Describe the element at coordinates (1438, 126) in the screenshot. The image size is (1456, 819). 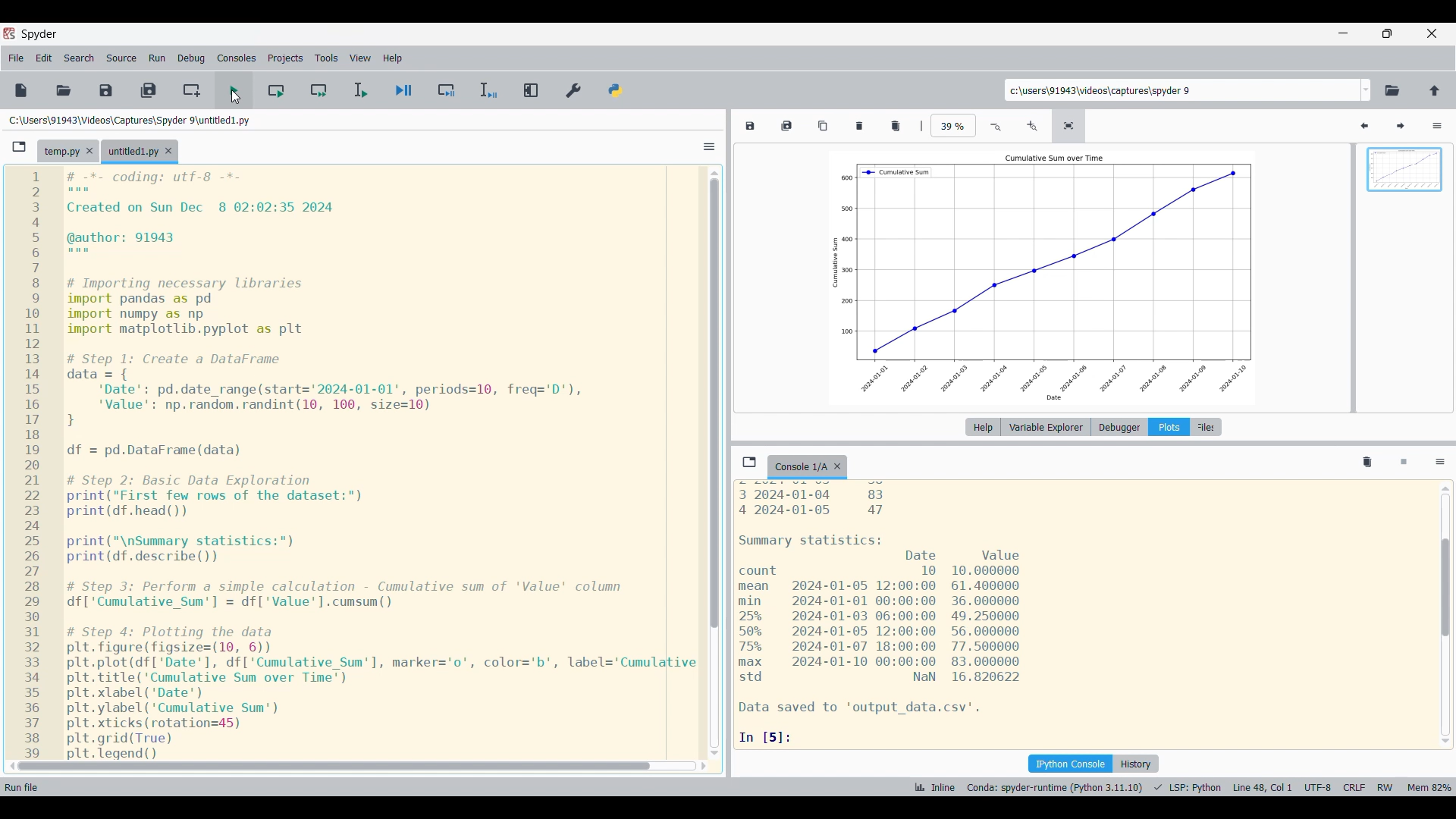
I see `Options` at that location.